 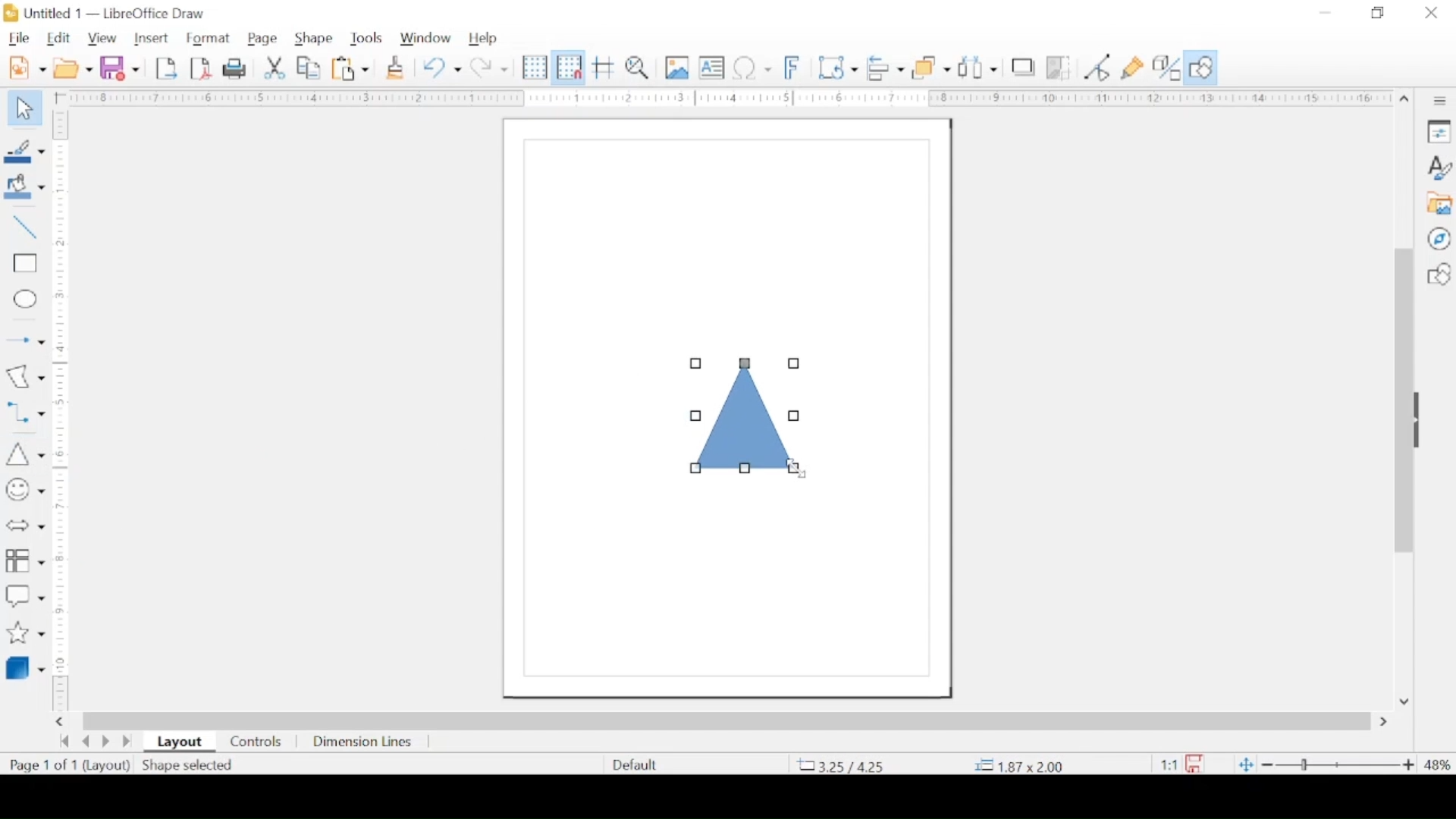 What do you see at coordinates (425, 36) in the screenshot?
I see `window` at bounding box center [425, 36].